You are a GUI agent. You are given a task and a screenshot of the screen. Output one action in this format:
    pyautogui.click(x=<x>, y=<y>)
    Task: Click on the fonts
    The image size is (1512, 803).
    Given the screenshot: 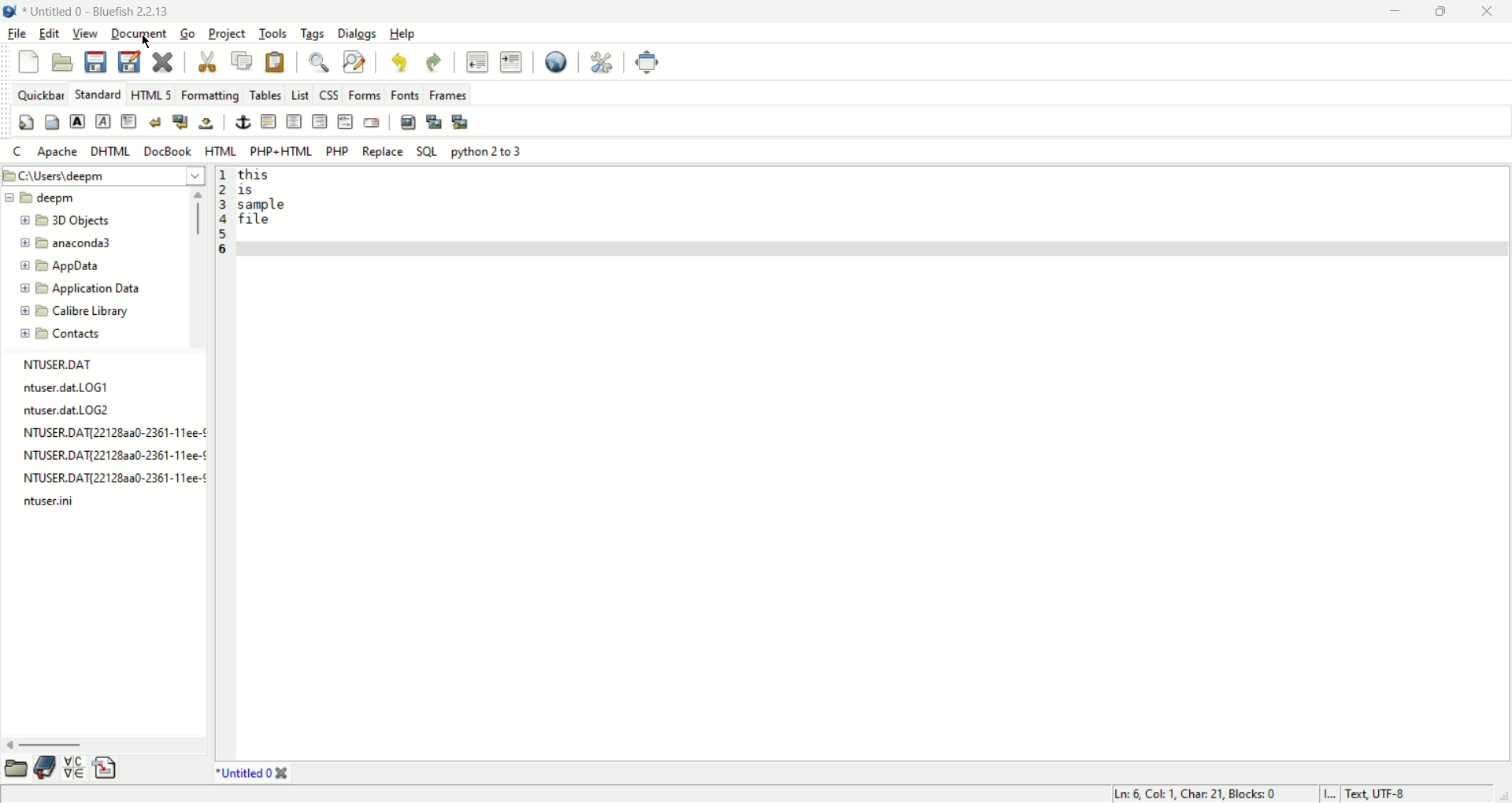 What is the action you would take?
    pyautogui.click(x=406, y=94)
    